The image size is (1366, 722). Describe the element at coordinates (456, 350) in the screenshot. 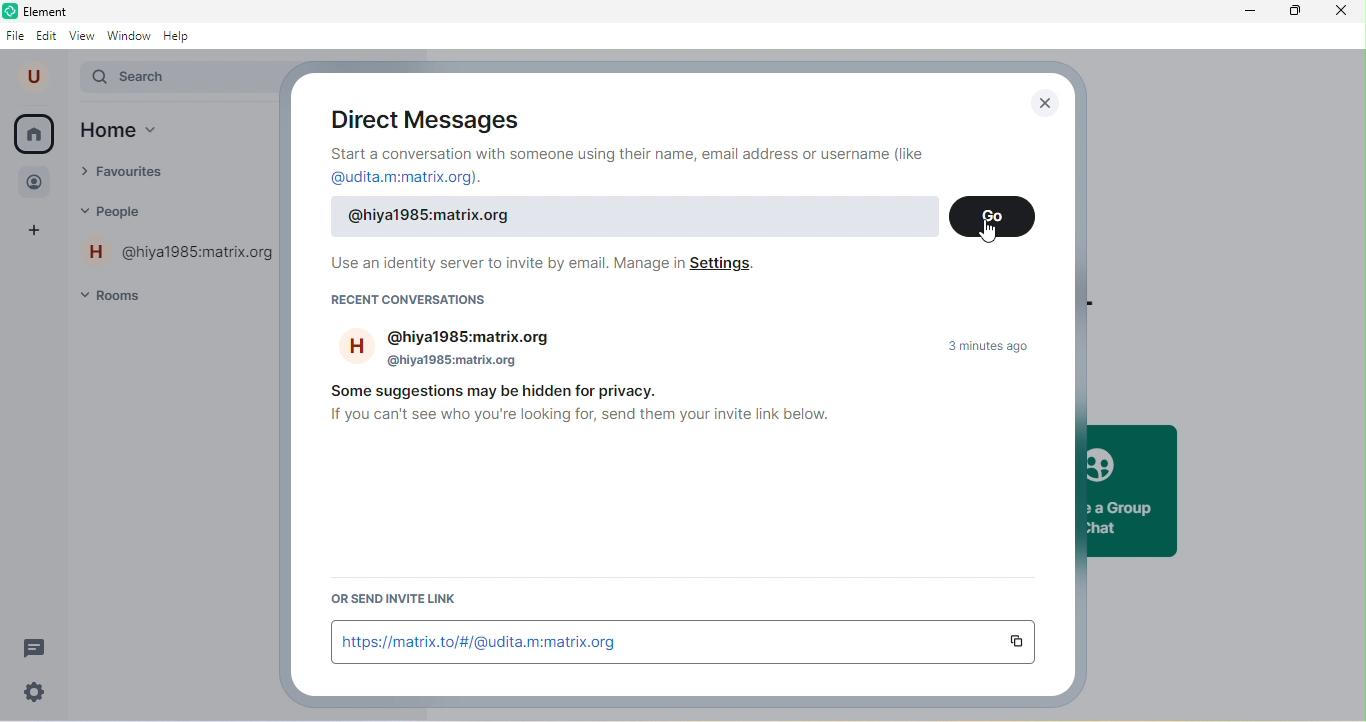

I see `hiya1985 matrix org` at that location.